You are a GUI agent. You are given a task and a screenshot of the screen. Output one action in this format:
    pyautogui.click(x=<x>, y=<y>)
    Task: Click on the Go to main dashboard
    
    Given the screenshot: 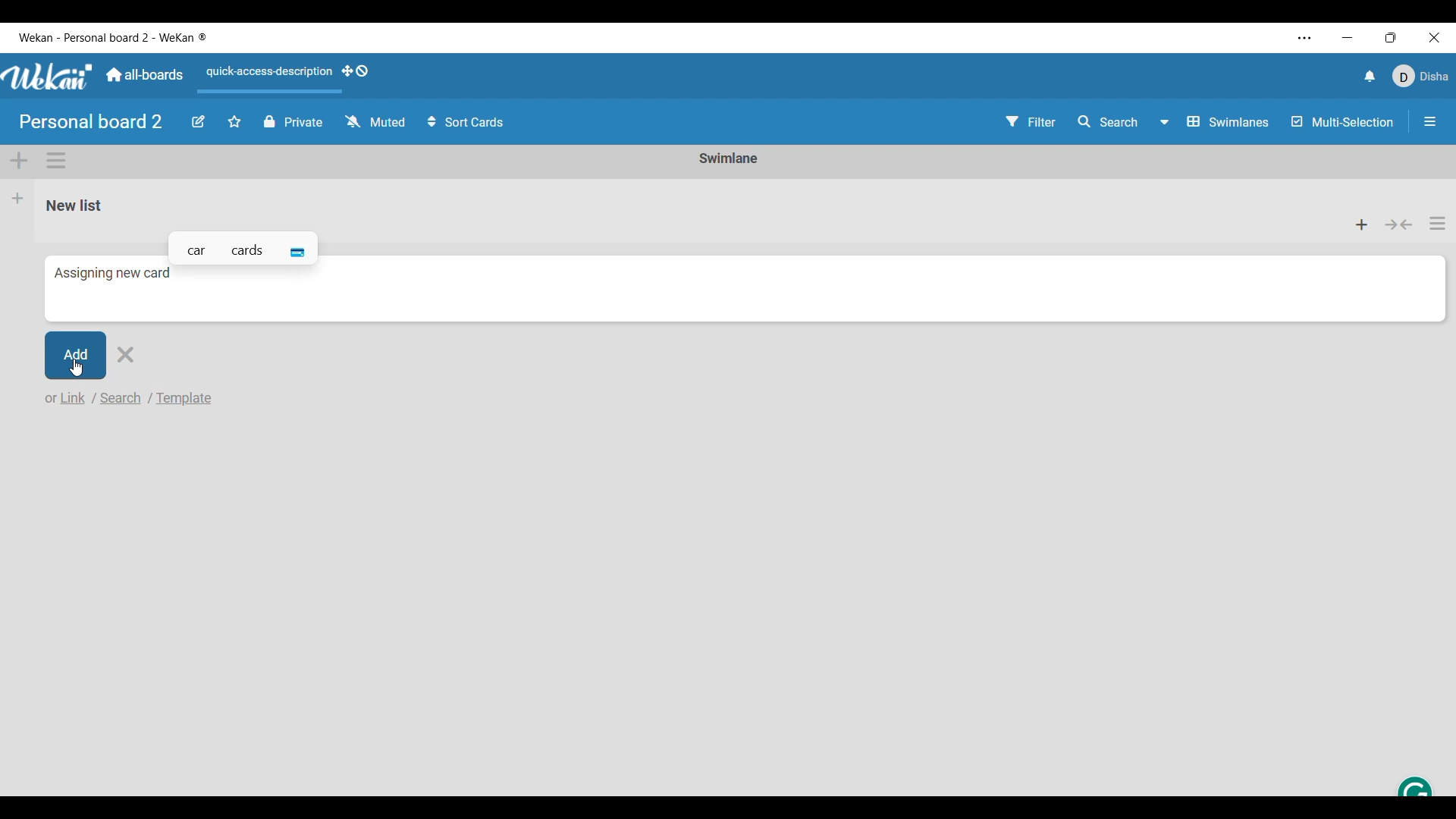 What is the action you would take?
    pyautogui.click(x=144, y=75)
    